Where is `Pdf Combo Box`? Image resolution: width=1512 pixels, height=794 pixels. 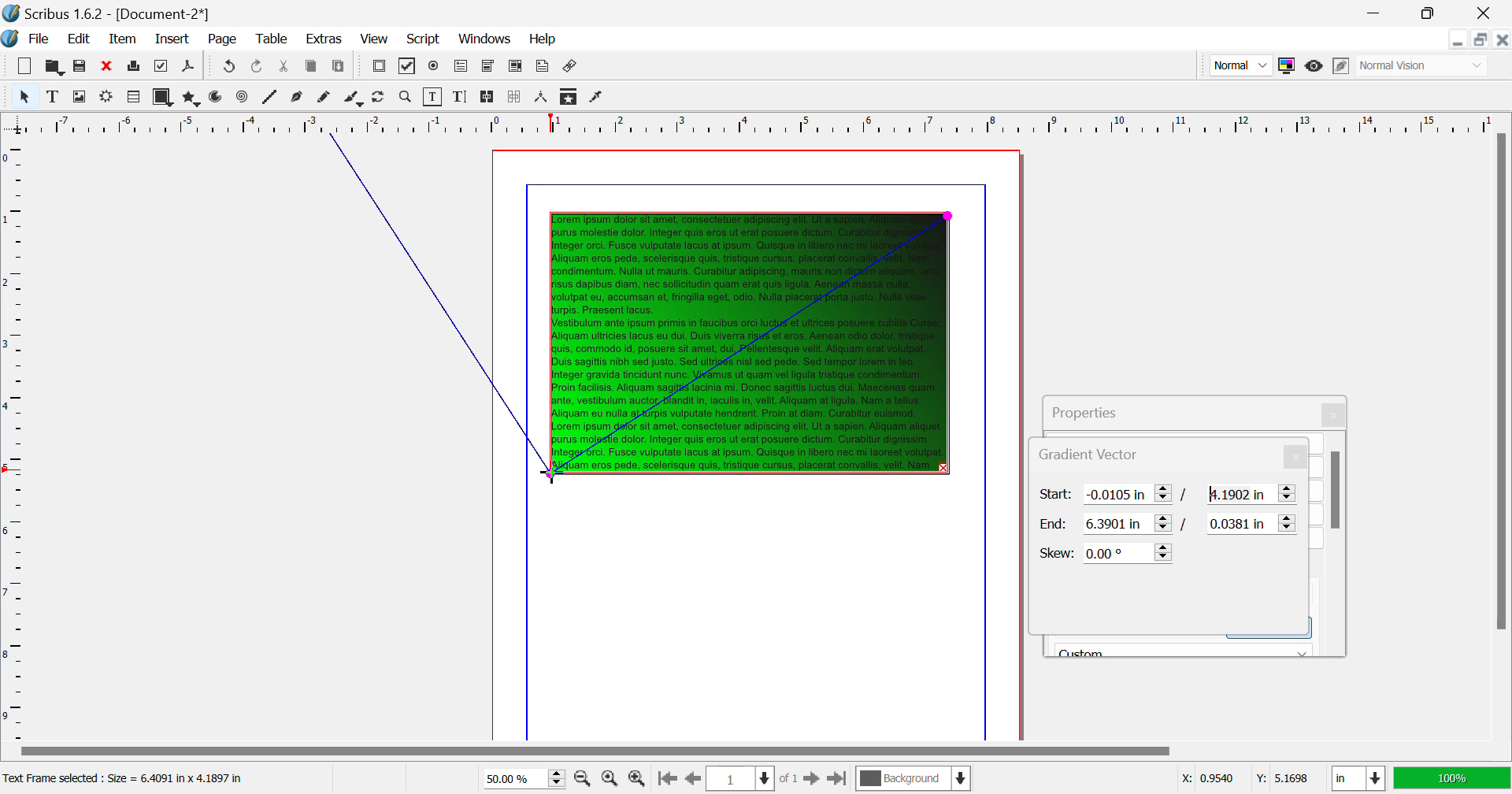 Pdf Combo Box is located at coordinates (487, 67).